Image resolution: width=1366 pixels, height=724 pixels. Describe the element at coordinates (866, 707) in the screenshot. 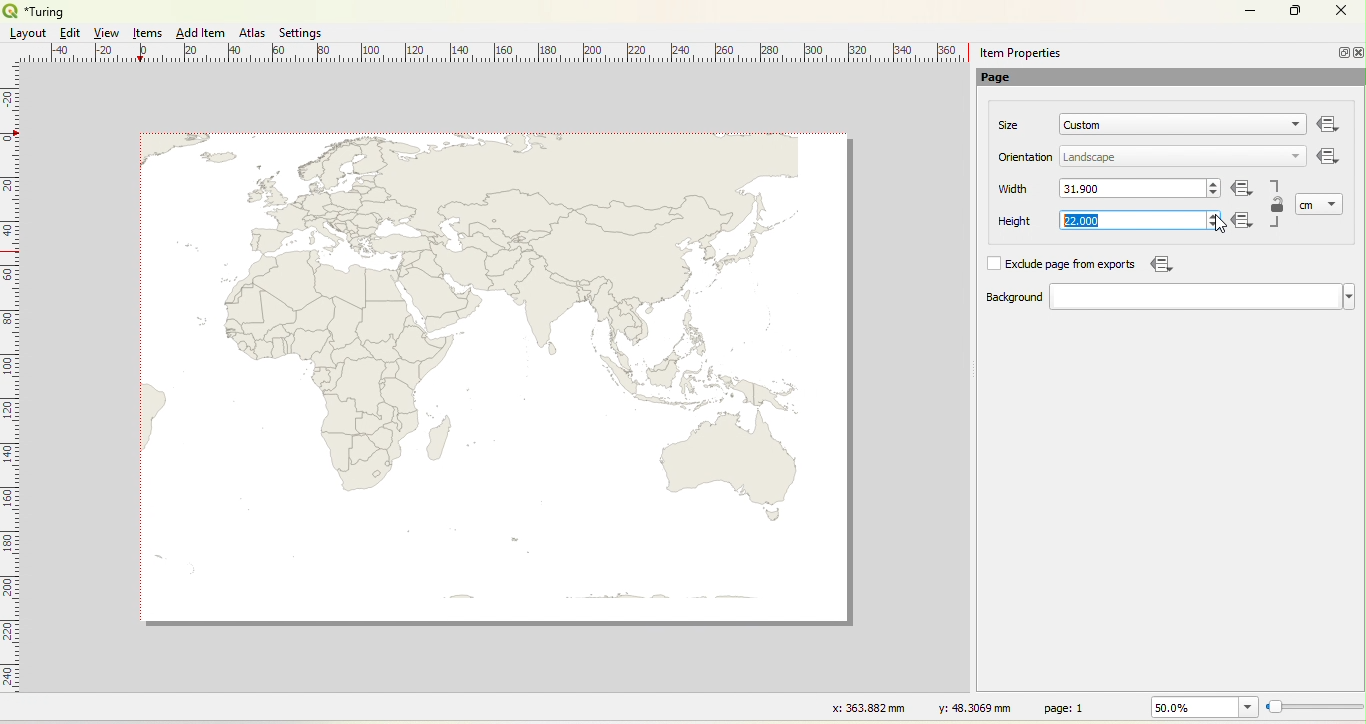

I see `x: 363.882 mm` at that location.